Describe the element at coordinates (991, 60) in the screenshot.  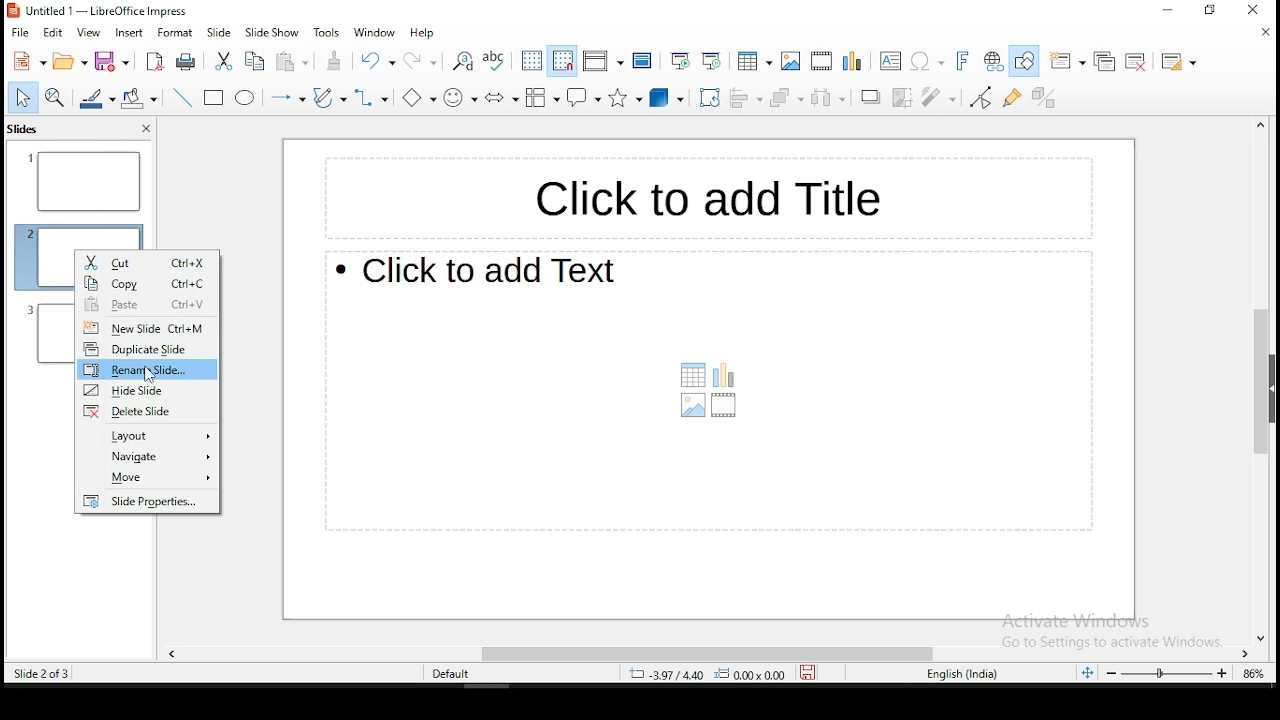
I see `insert hyperlink` at that location.